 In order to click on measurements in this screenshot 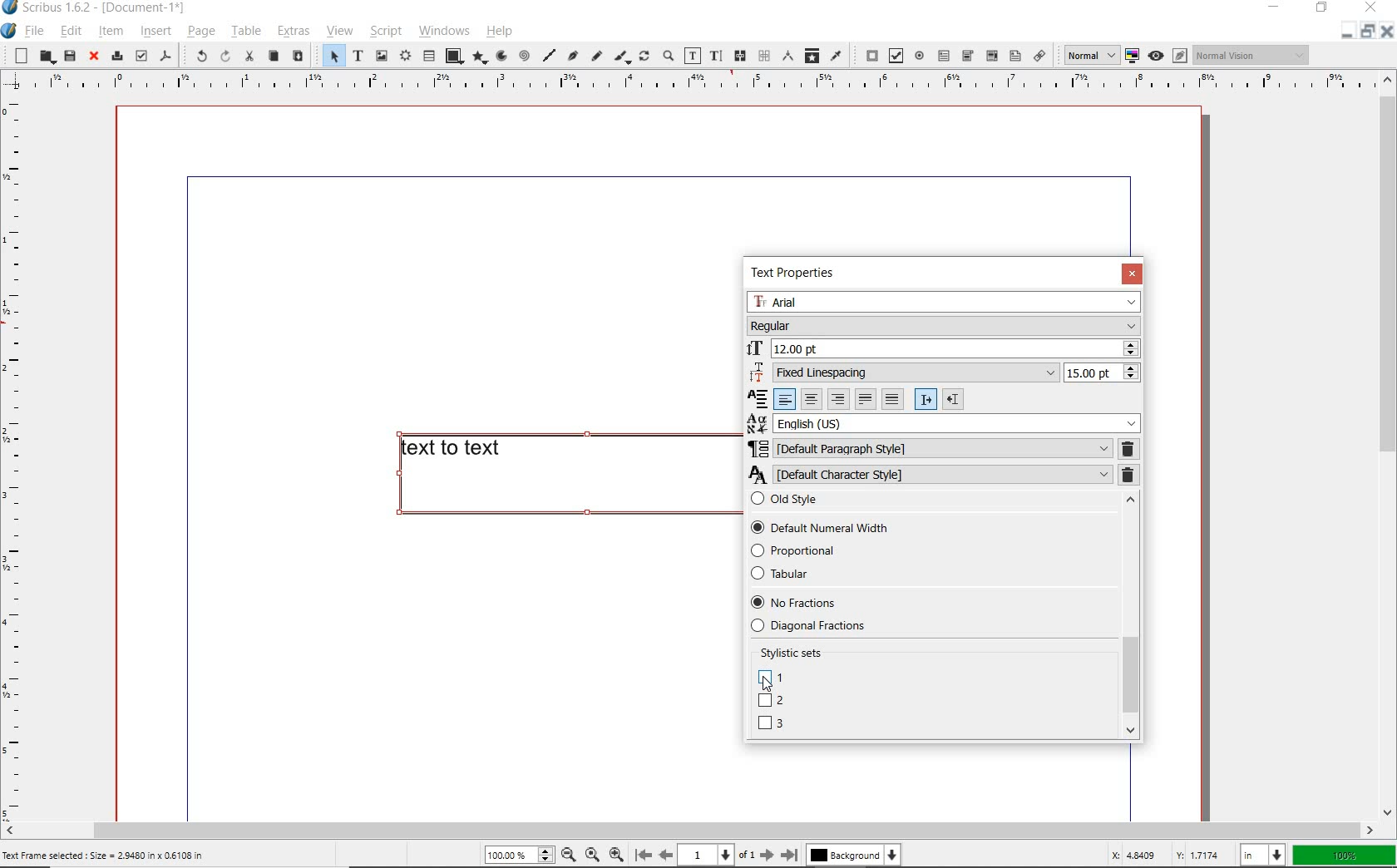, I will do `click(787, 57)`.